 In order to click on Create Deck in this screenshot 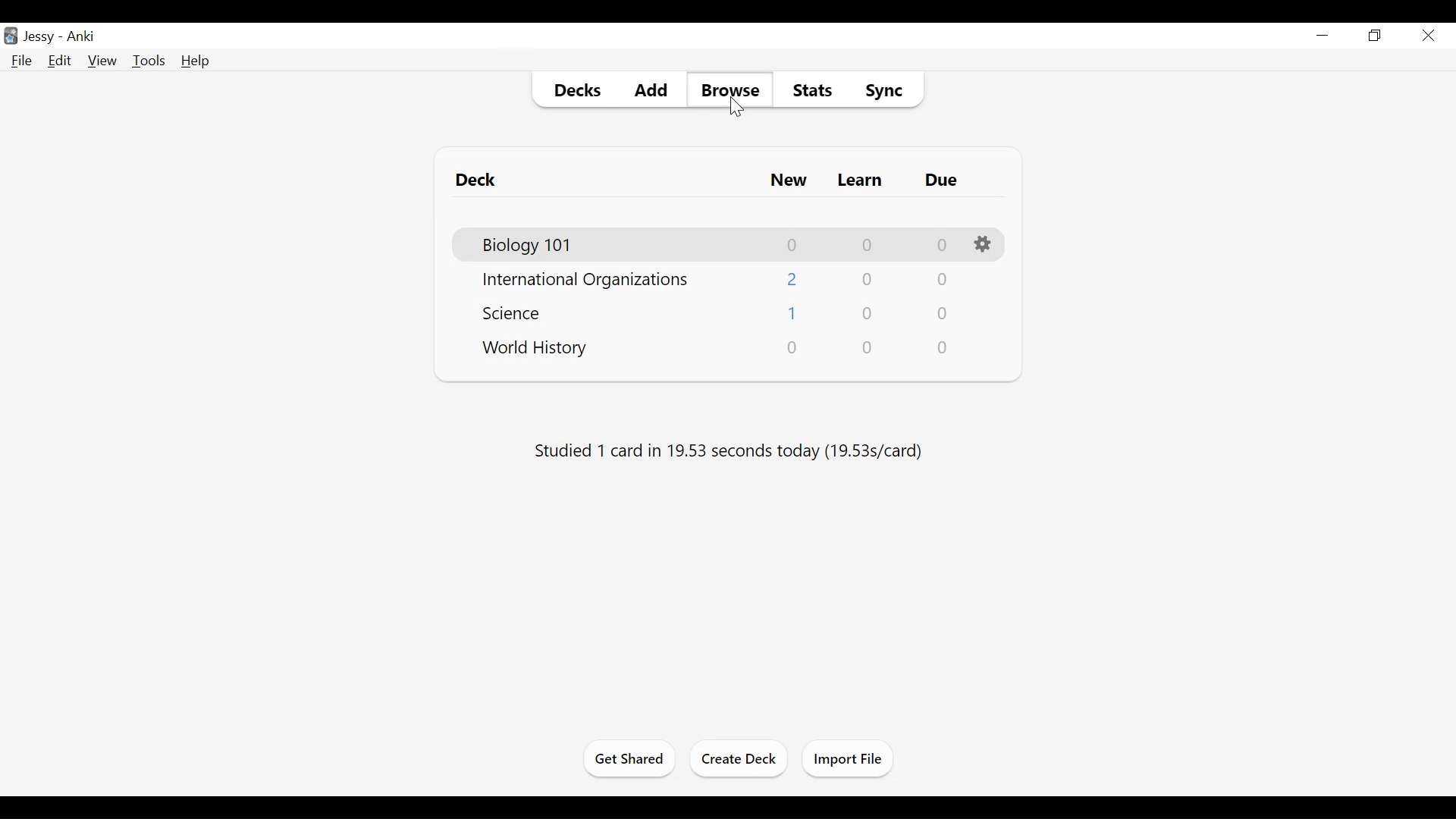, I will do `click(739, 761)`.